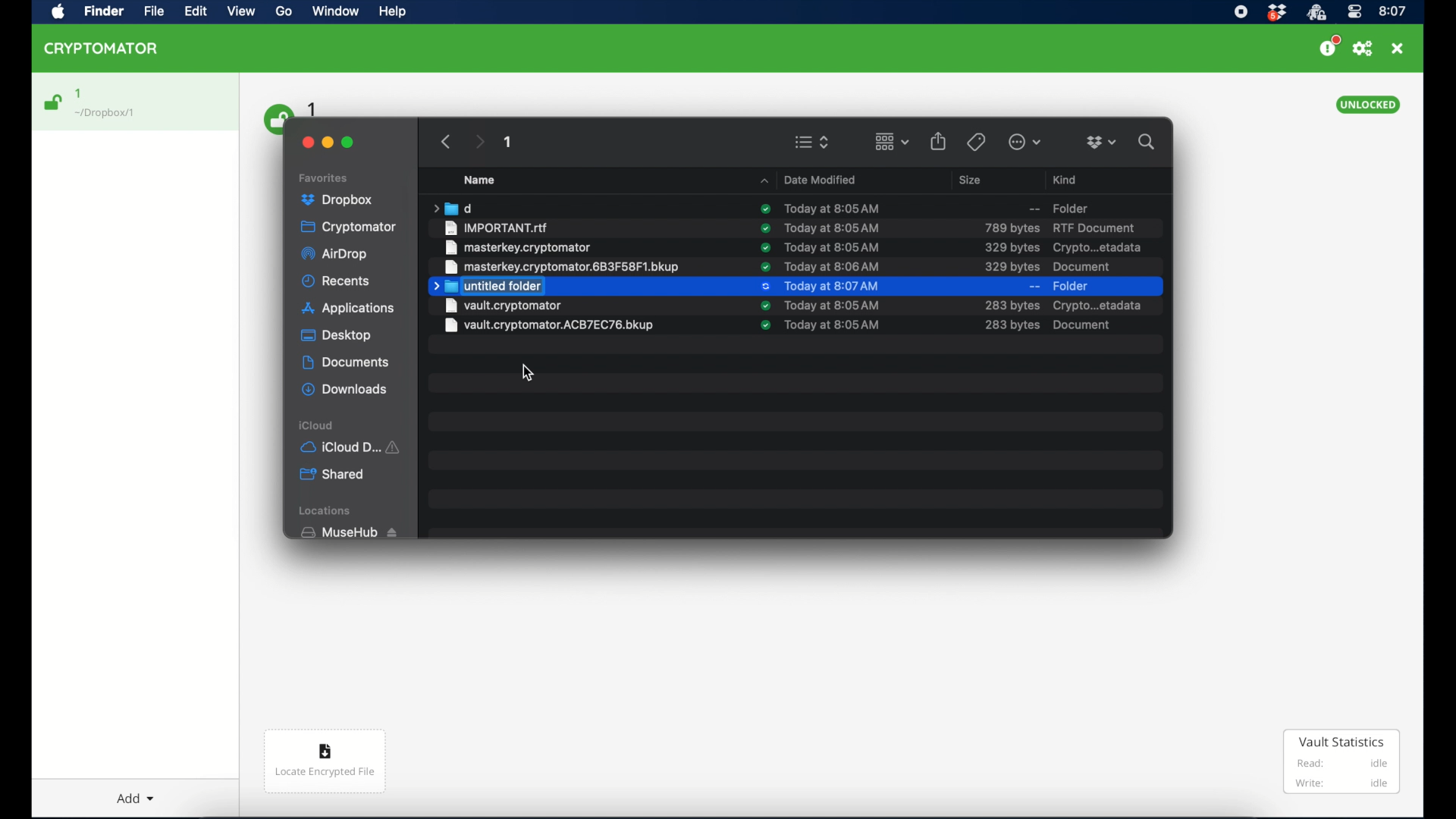  I want to click on file name, so click(550, 306).